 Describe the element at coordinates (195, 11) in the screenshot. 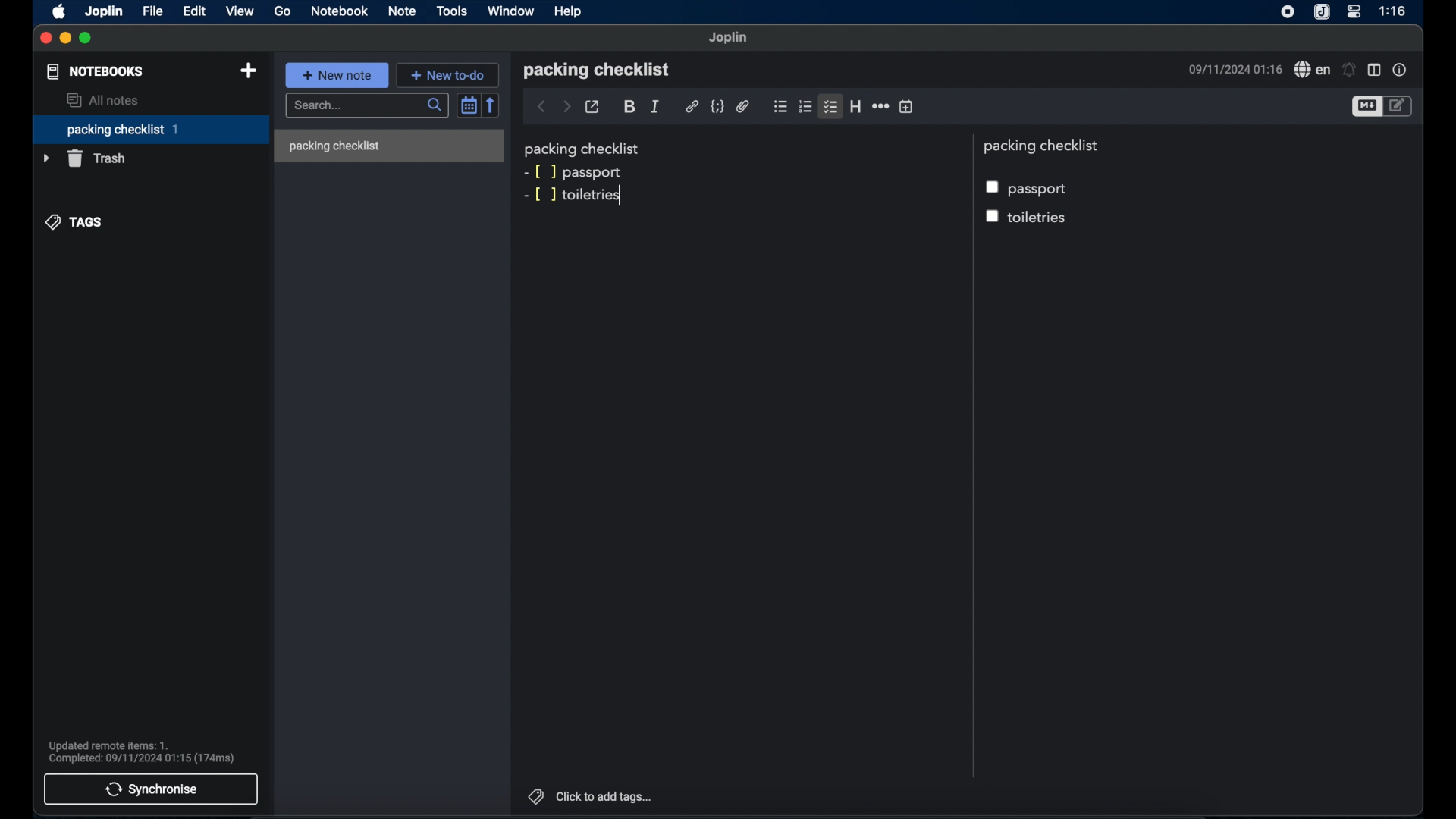

I see `edit` at that location.